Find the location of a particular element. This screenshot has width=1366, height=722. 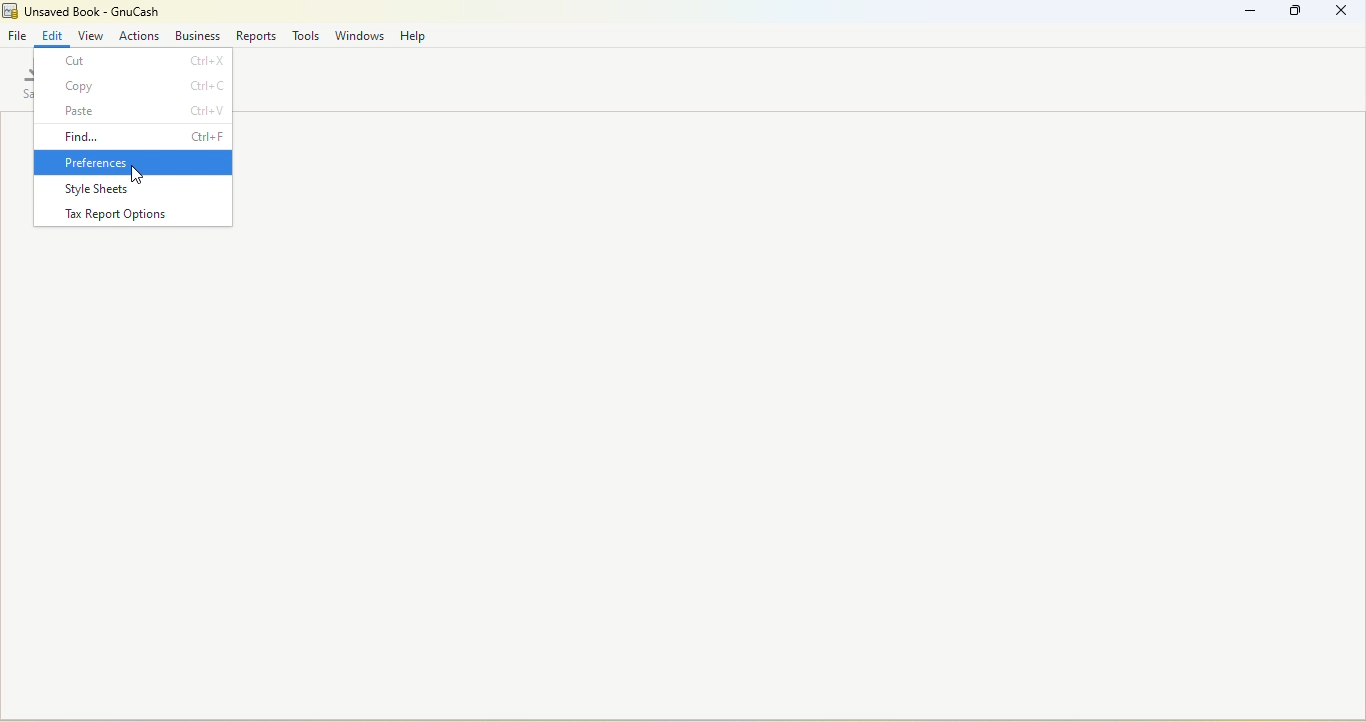

Maximize is located at coordinates (1301, 15).